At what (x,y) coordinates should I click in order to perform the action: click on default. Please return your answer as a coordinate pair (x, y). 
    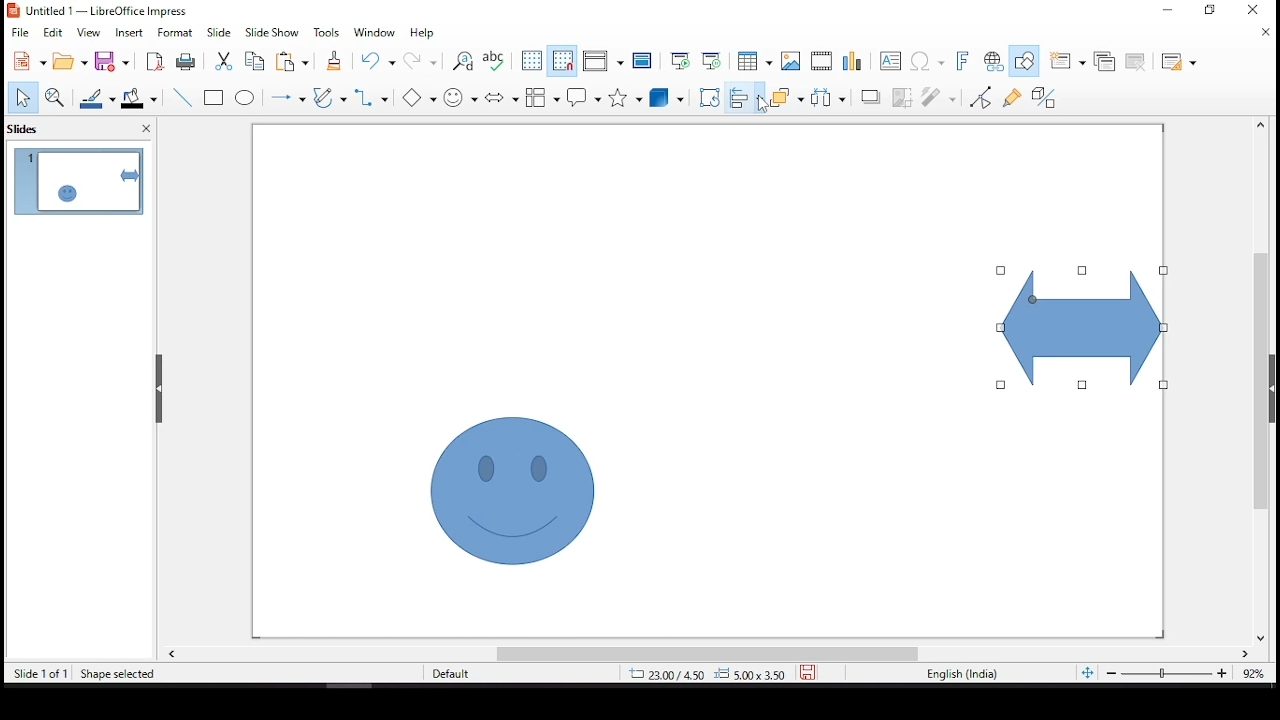
    Looking at the image, I should click on (468, 674).